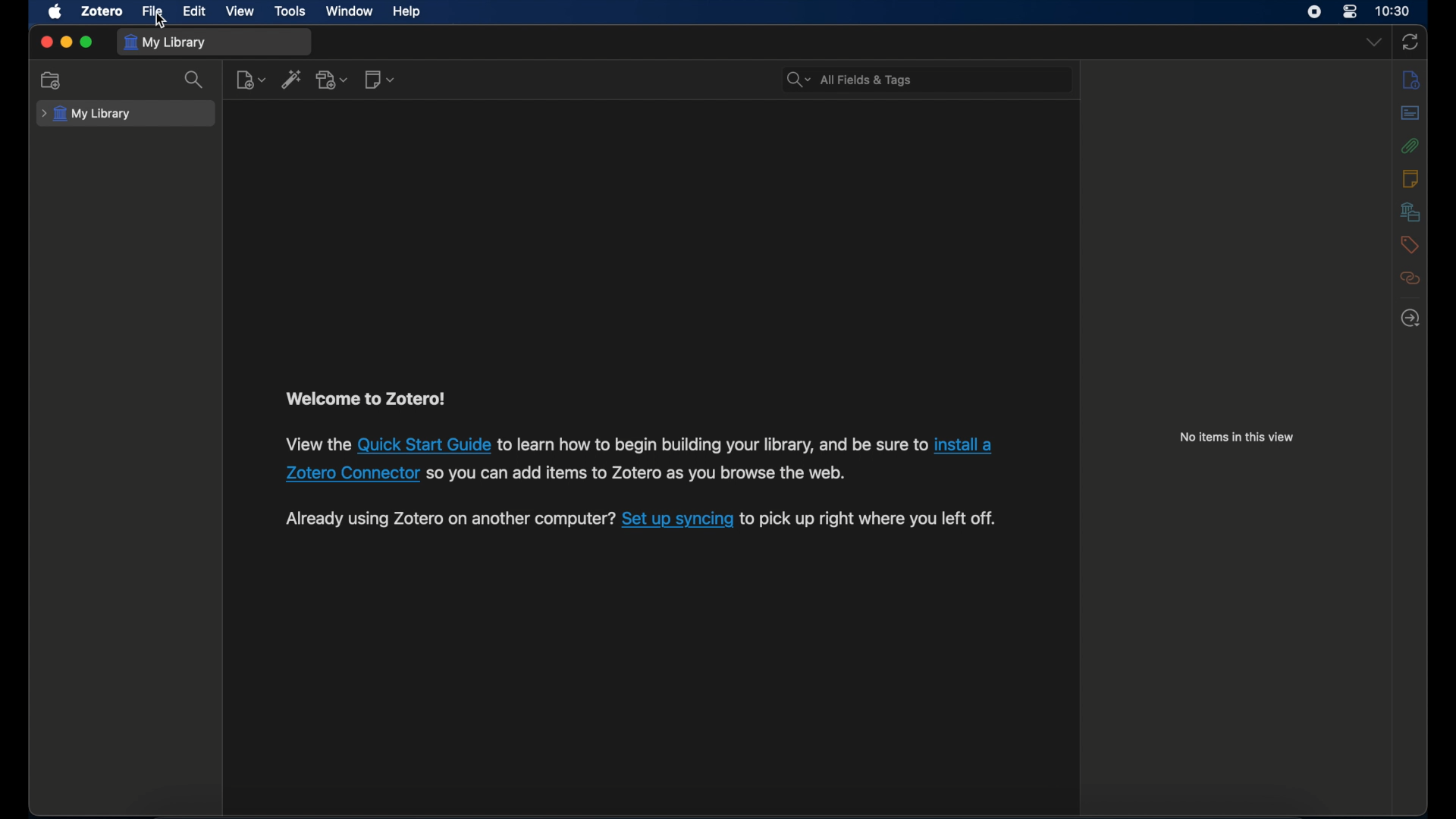  I want to click on install a, so click(965, 442).